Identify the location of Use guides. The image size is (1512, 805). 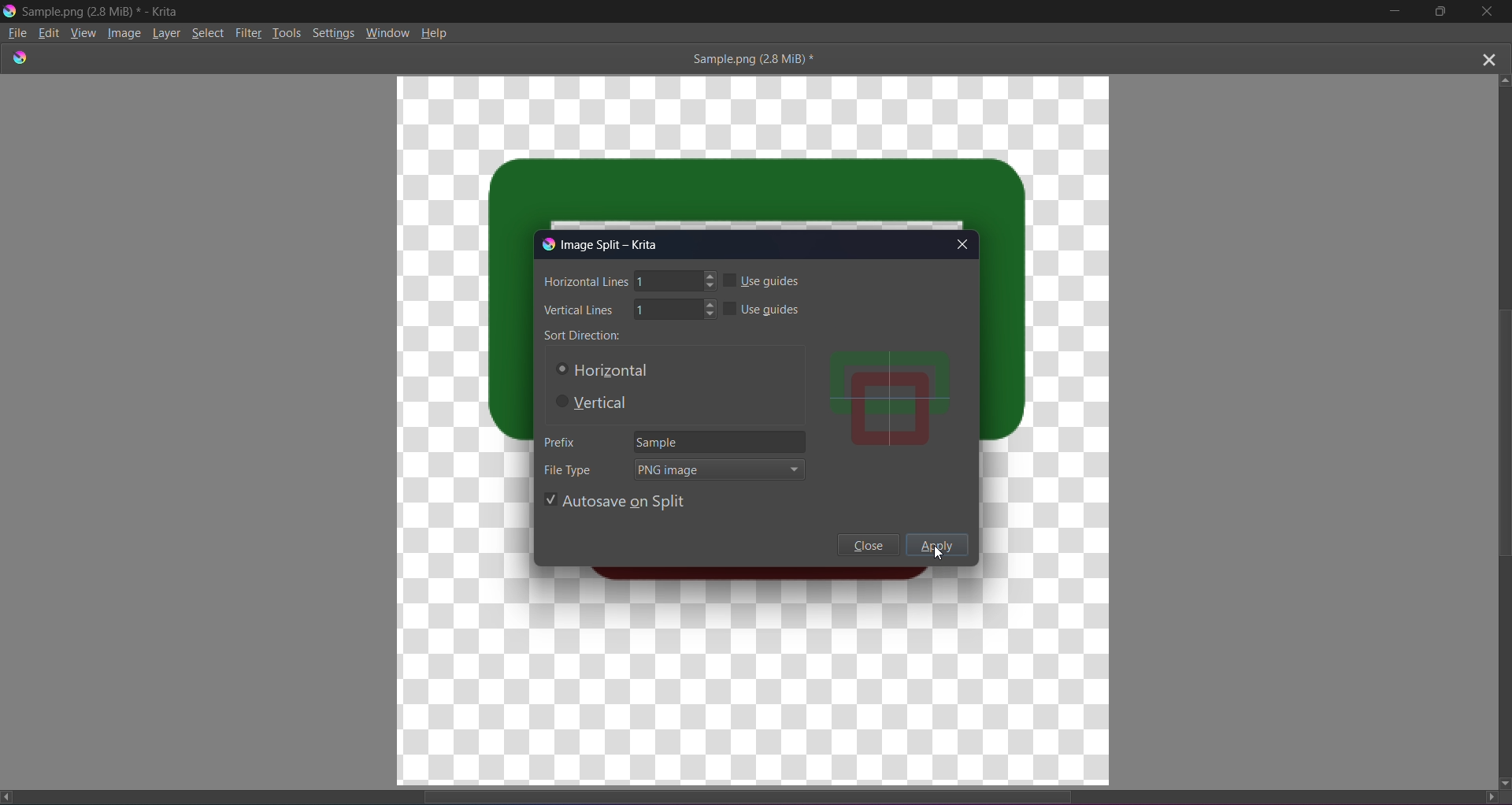
(762, 280).